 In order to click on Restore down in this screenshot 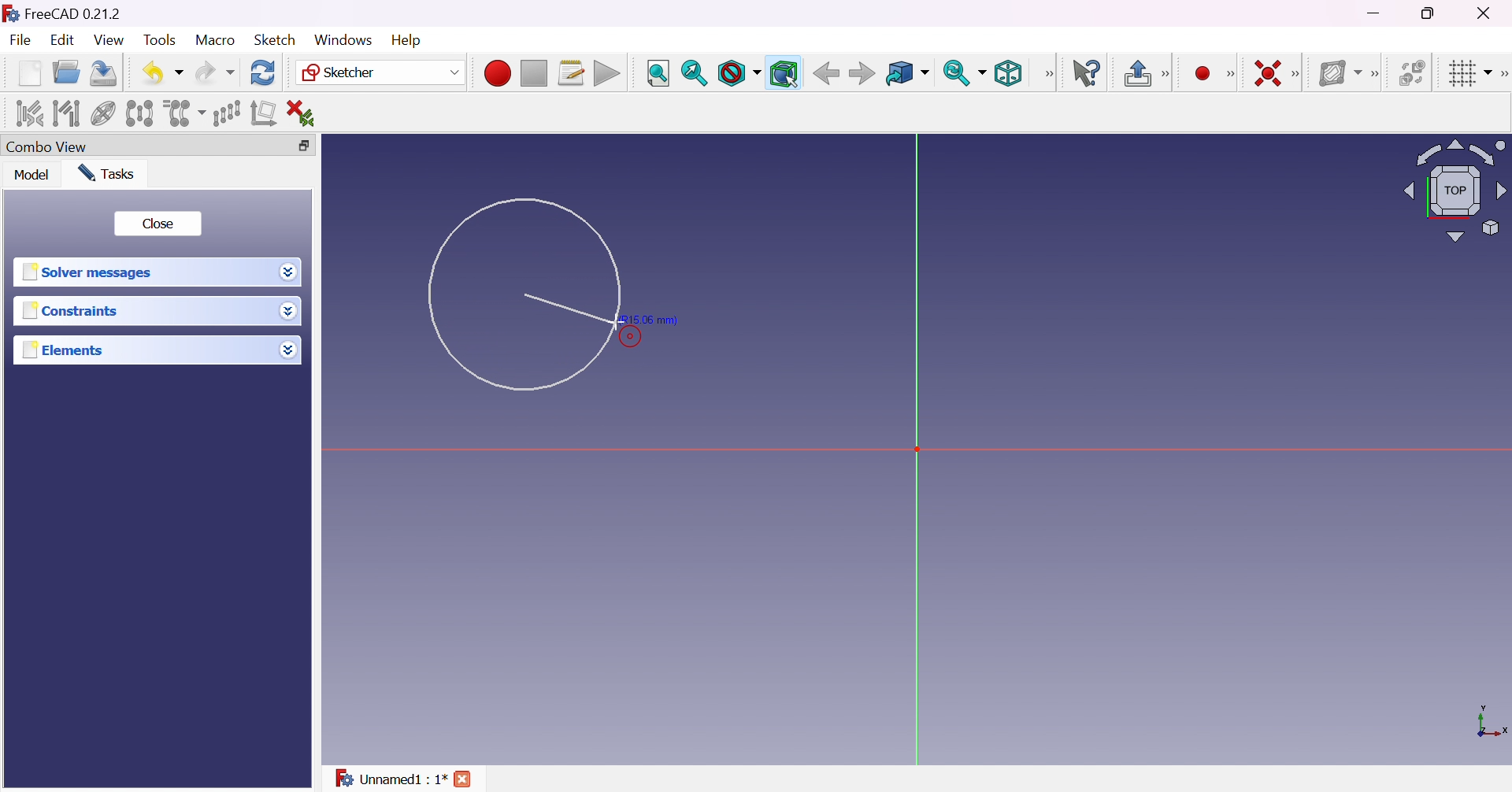, I will do `click(1430, 13)`.